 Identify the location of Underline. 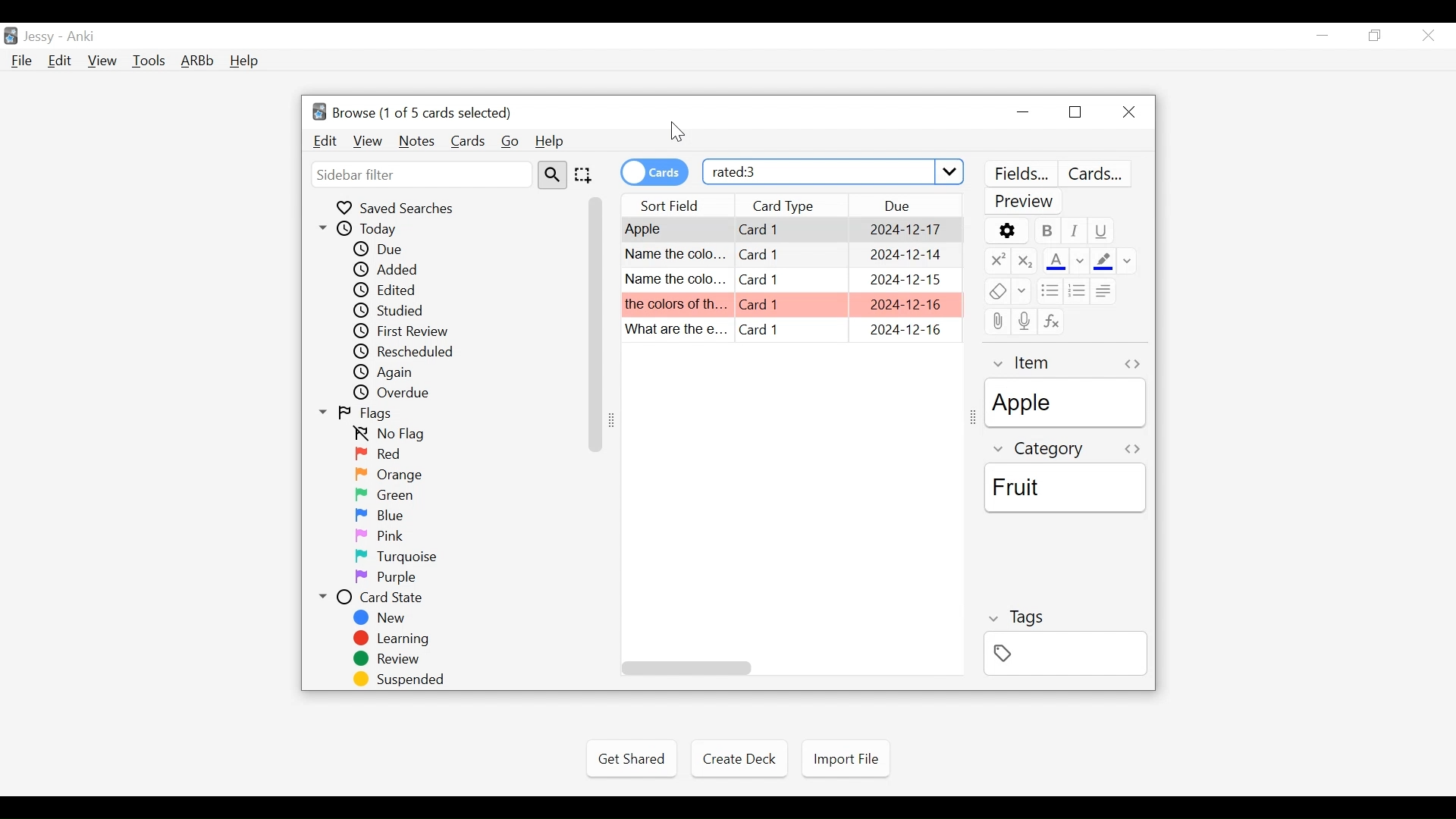
(1100, 231).